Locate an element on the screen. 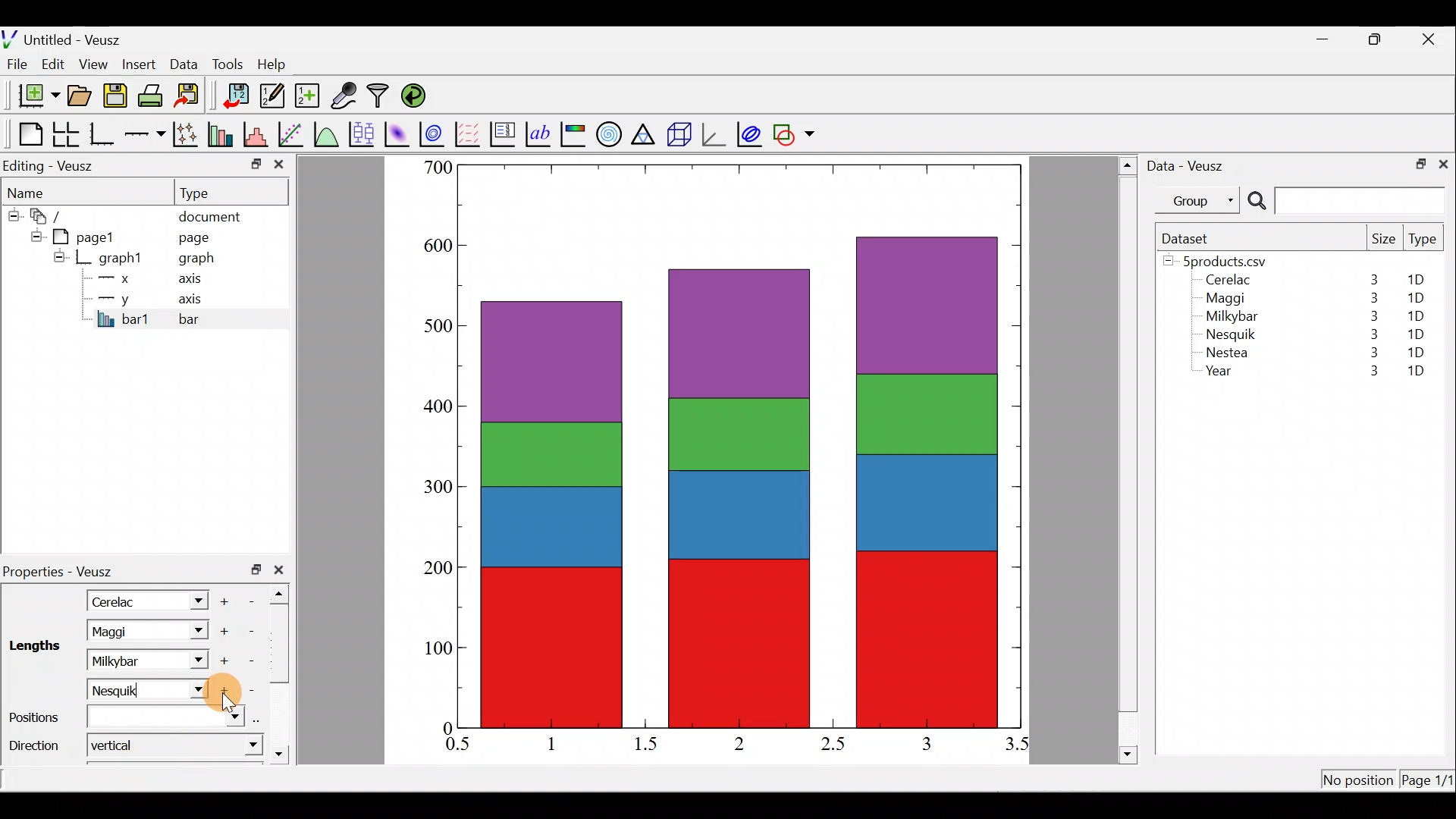 This screenshot has height=819, width=1456. Add another item is located at coordinates (222, 632).